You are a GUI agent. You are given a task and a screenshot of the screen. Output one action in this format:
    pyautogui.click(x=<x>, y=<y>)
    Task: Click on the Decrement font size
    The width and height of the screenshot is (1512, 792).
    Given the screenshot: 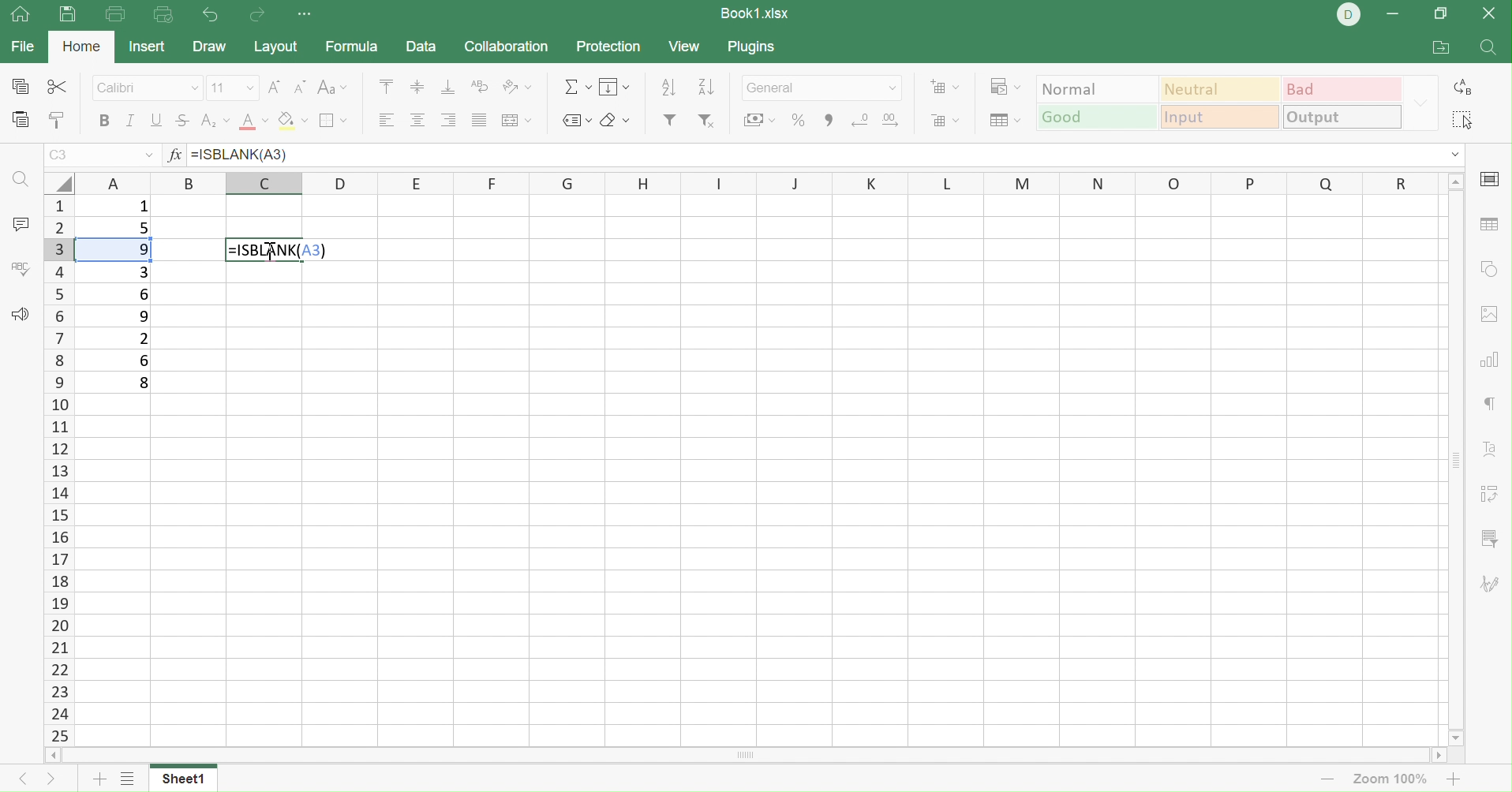 What is the action you would take?
    pyautogui.click(x=300, y=87)
    